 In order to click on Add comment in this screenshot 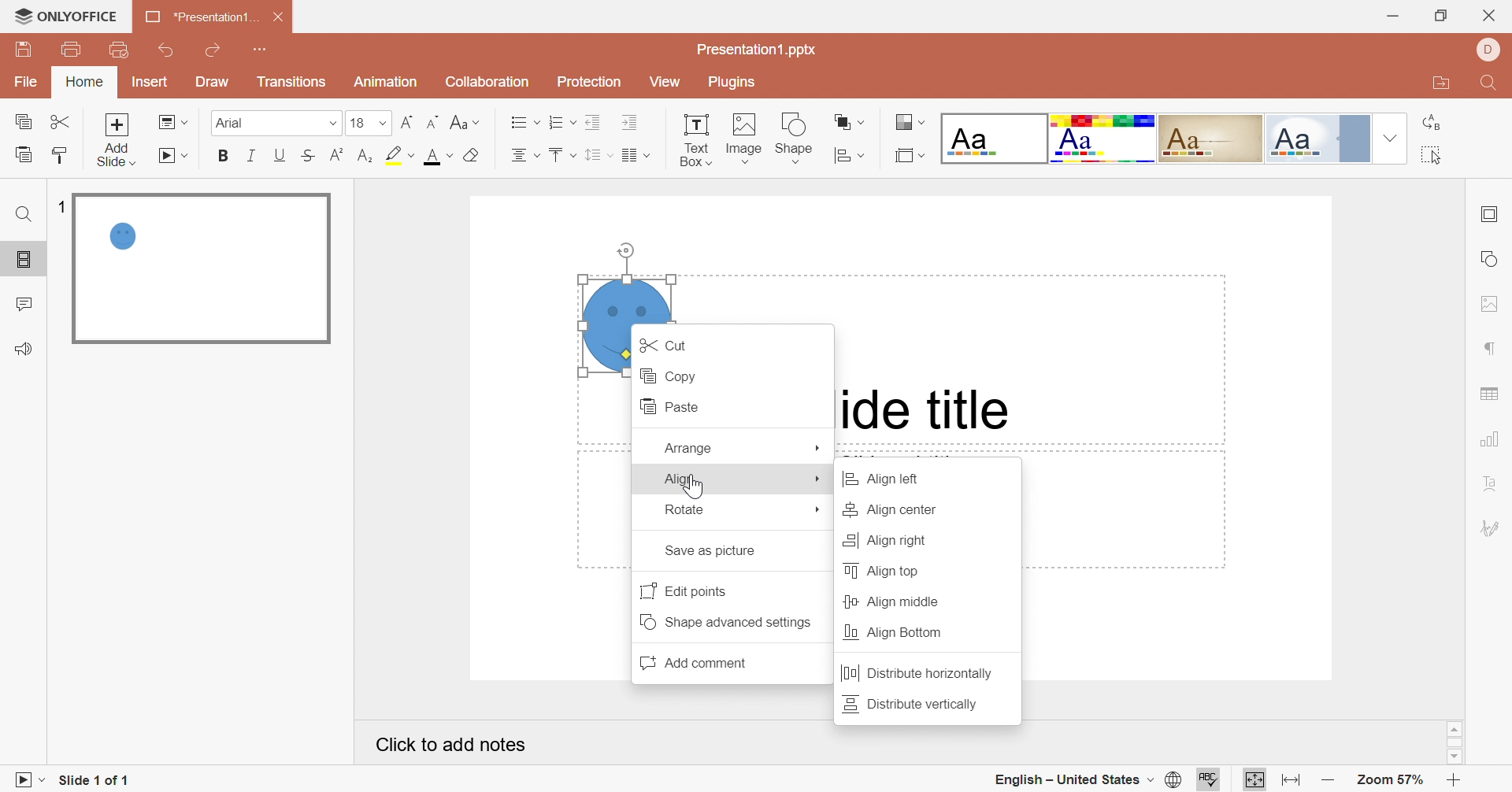, I will do `click(701, 664)`.